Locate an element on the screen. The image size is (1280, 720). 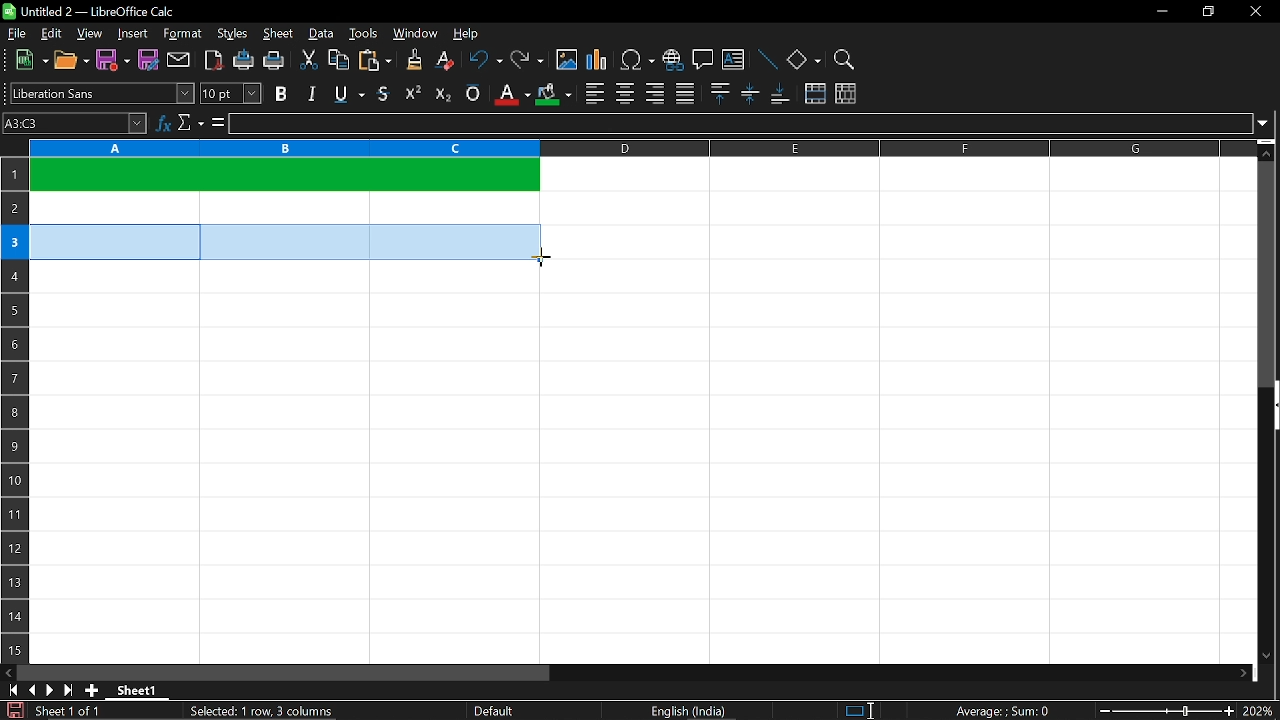
save is located at coordinates (113, 61).